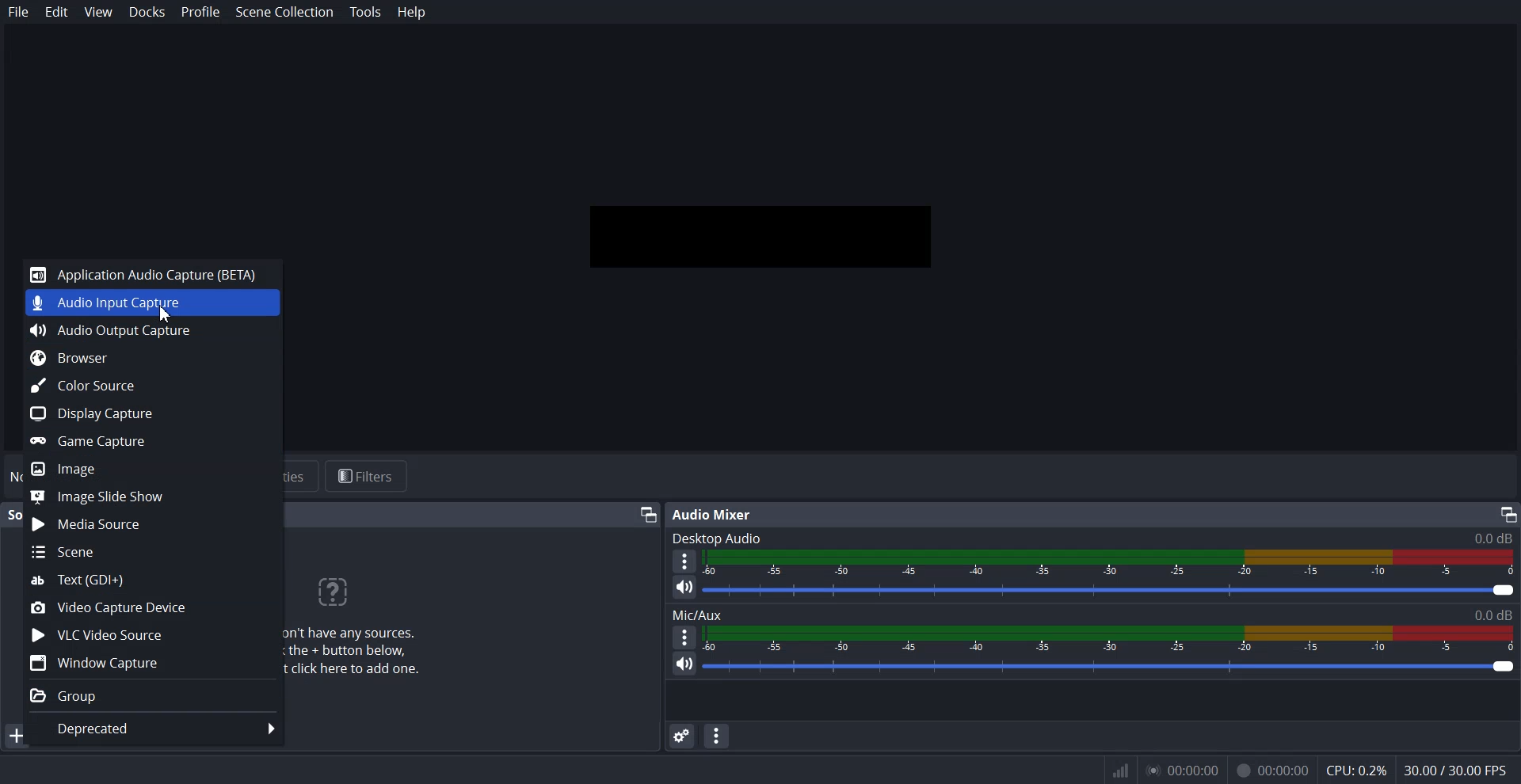  I want to click on Scene, so click(152, 551).